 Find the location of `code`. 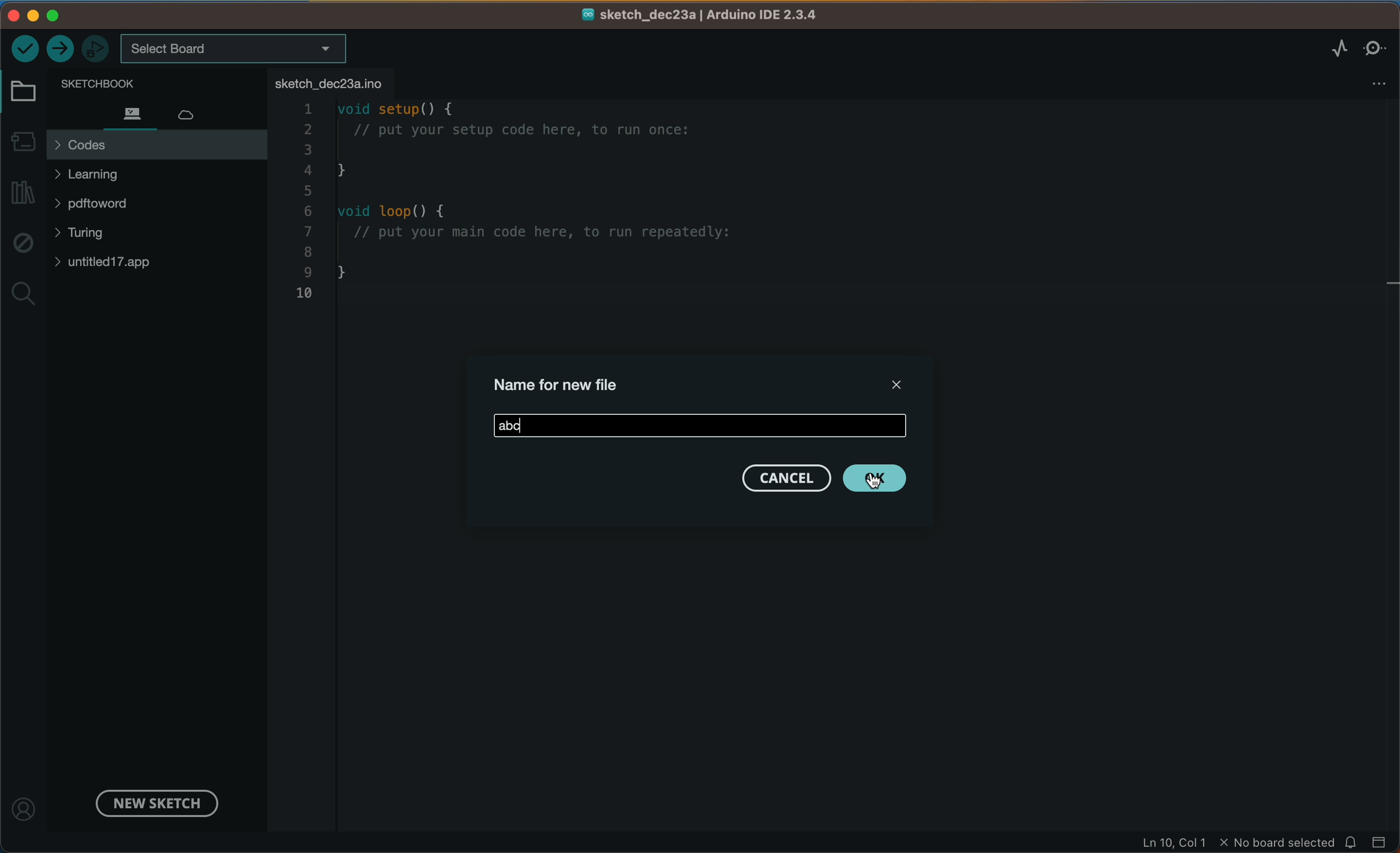

code is located at coordinates (557, 208).